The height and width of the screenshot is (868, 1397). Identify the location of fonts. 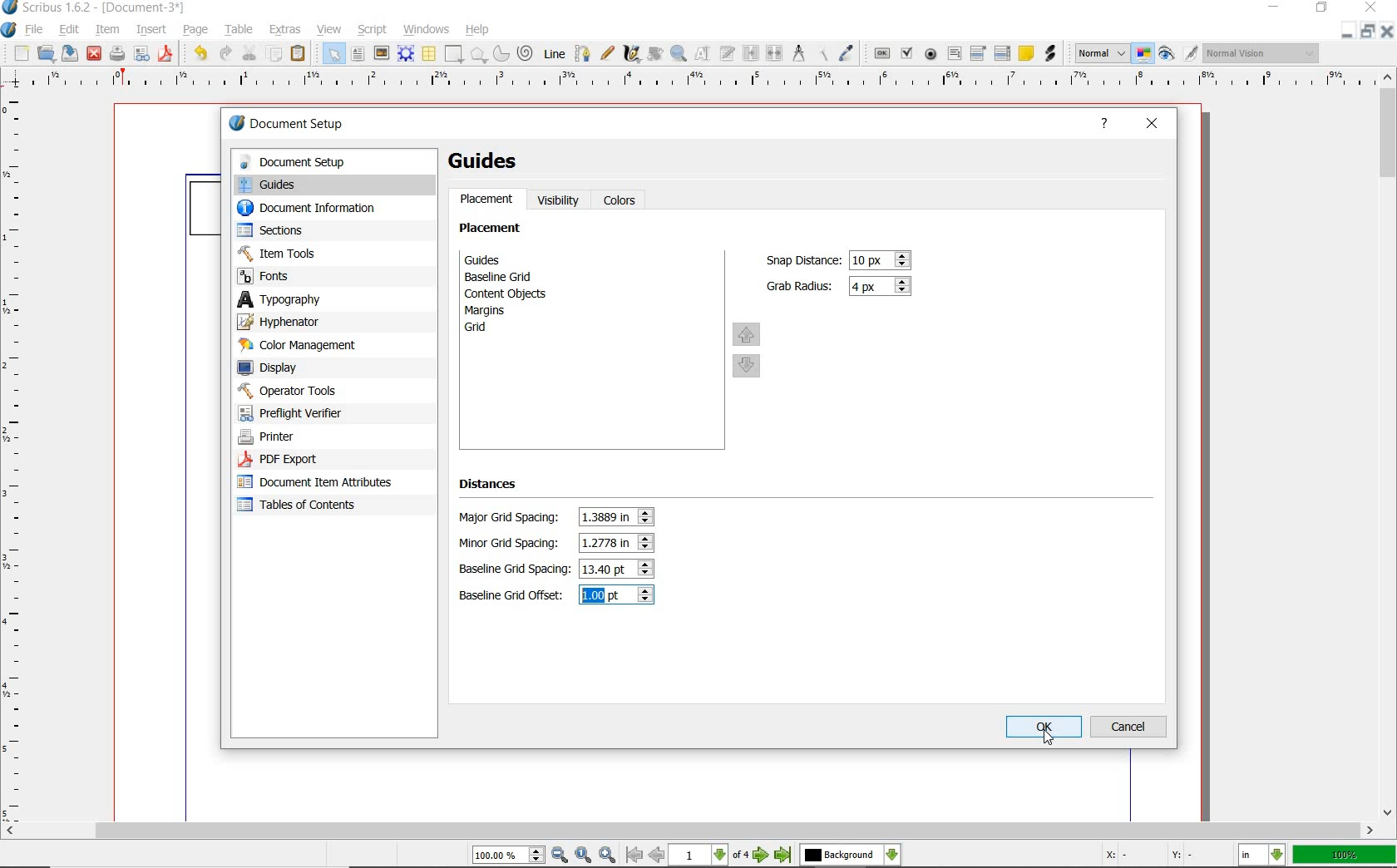
(334, 275).